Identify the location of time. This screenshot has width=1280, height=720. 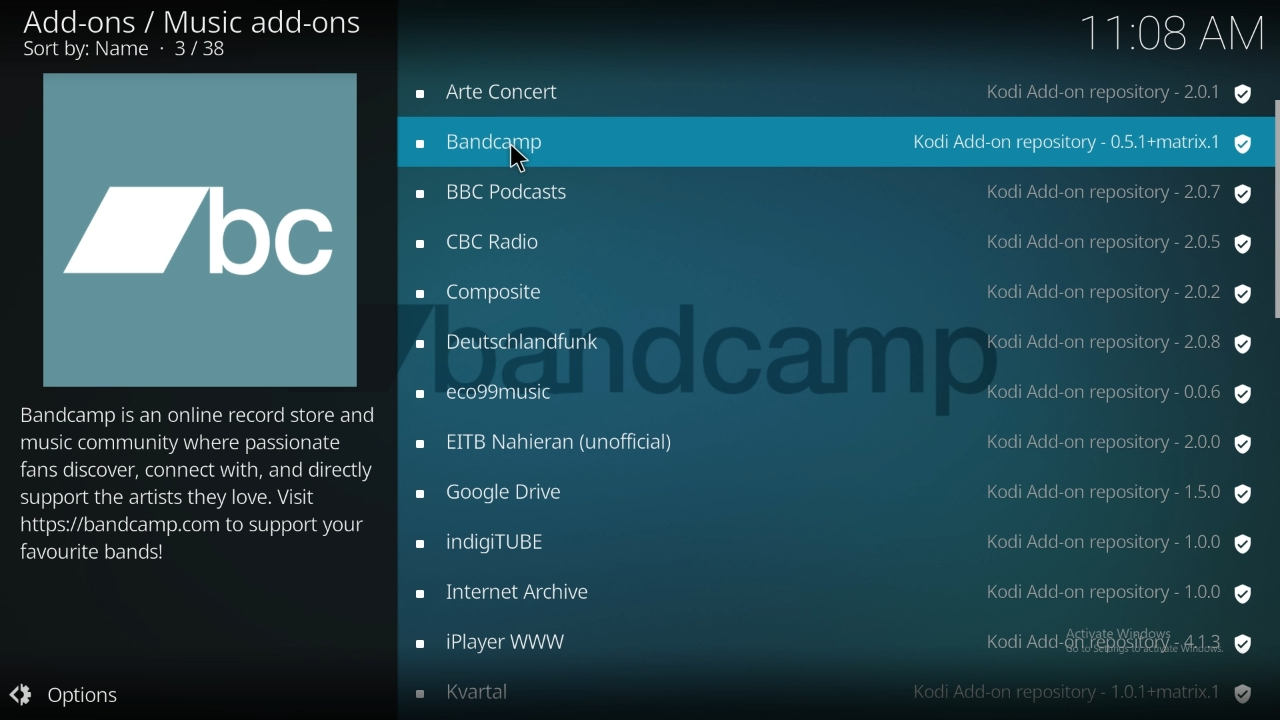
(1171, 37).